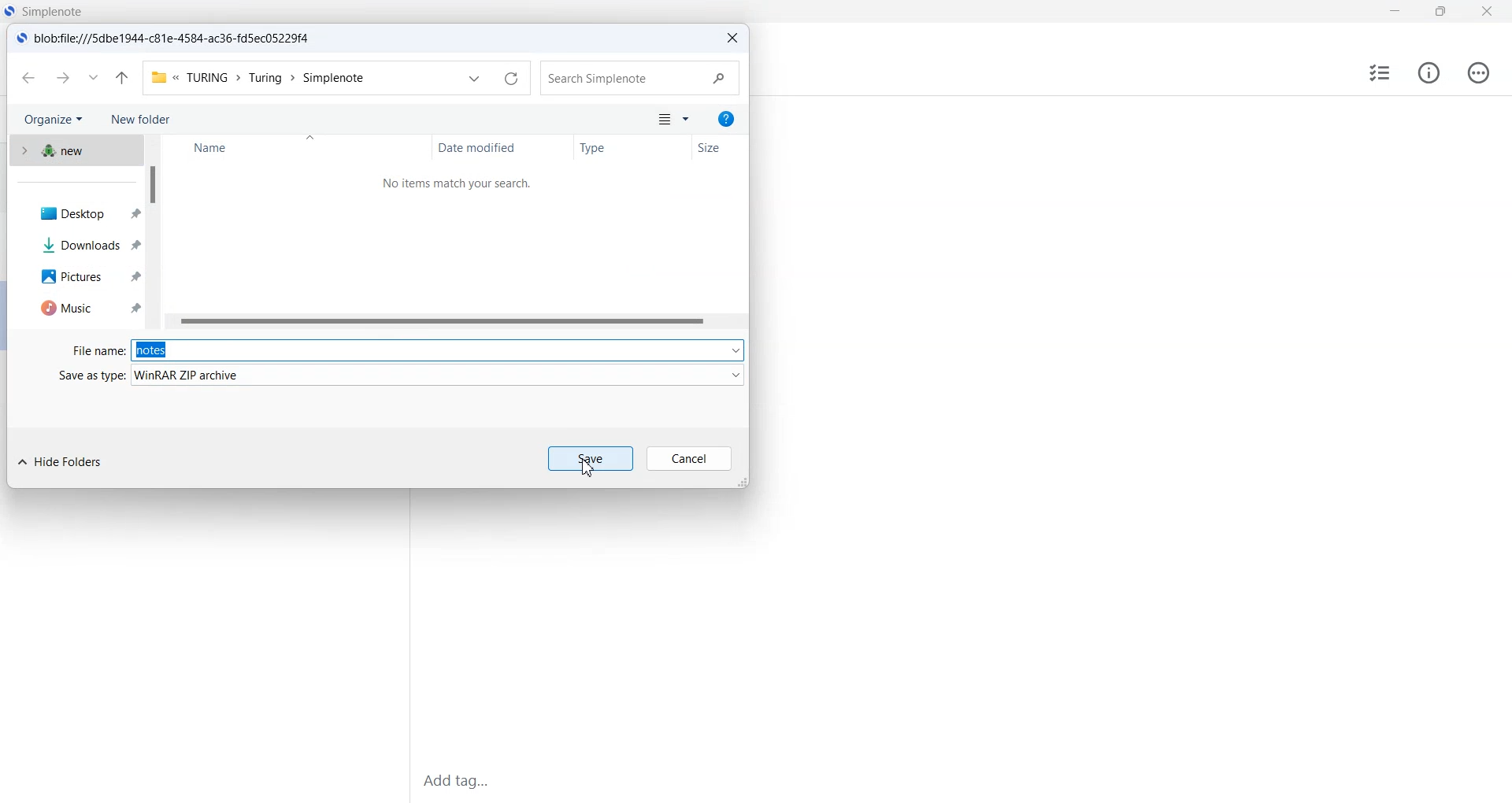 This screenshot has width=1512, height=803. What do you see at coordinates (689, 458) in the screenshot?
I see `Cancel` at bounding box center [689, 458].